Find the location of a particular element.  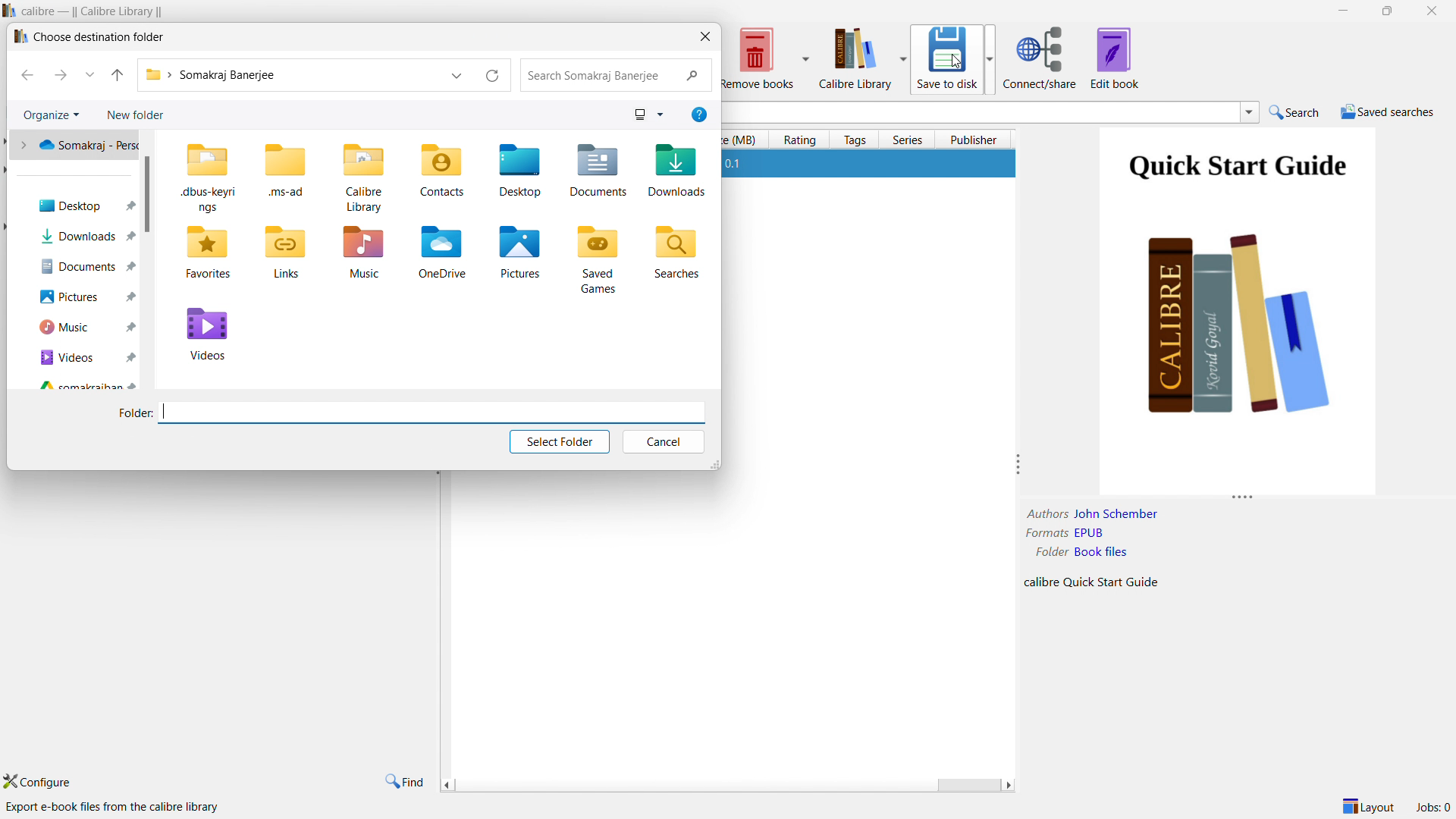

Calibre Library is located at coordinates (367, 177).